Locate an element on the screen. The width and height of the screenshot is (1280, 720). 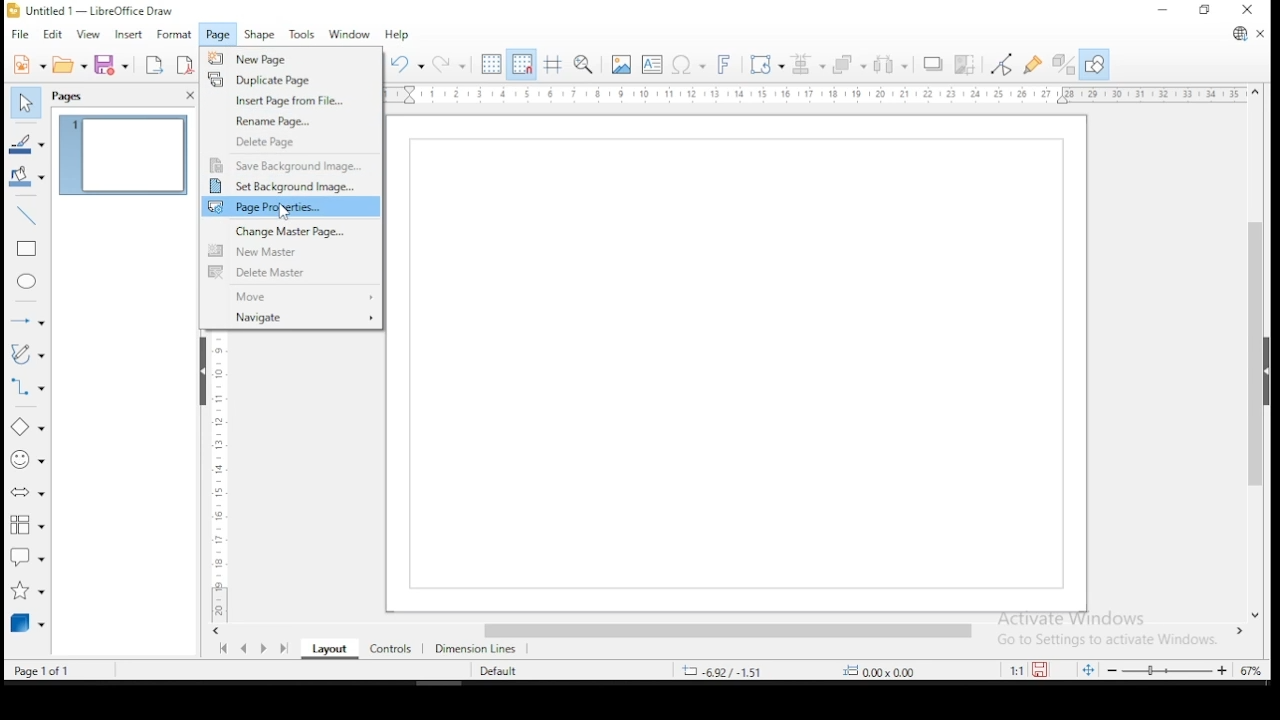
icon and file name is located at coordinates (102, 10).